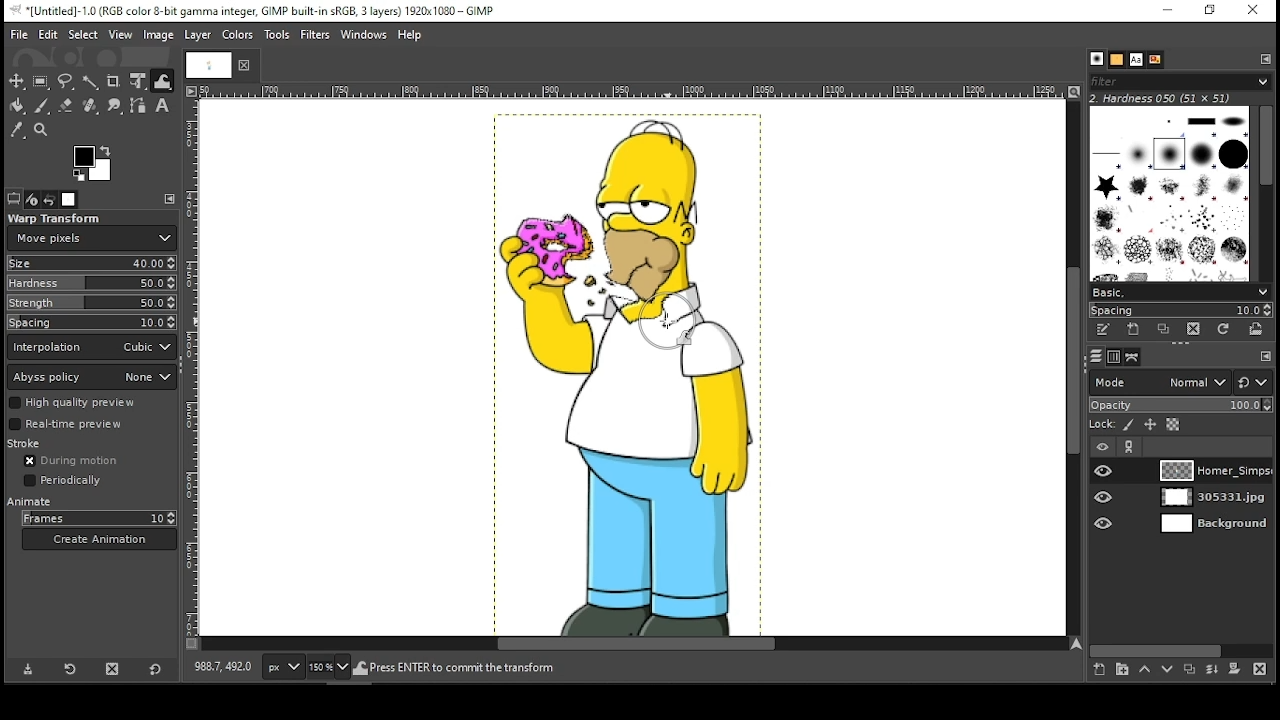 The width and height of the screenshot is (1280, 720). Describe the element at coordinates (160, 35) in the screenshot. I see `image` at that location.